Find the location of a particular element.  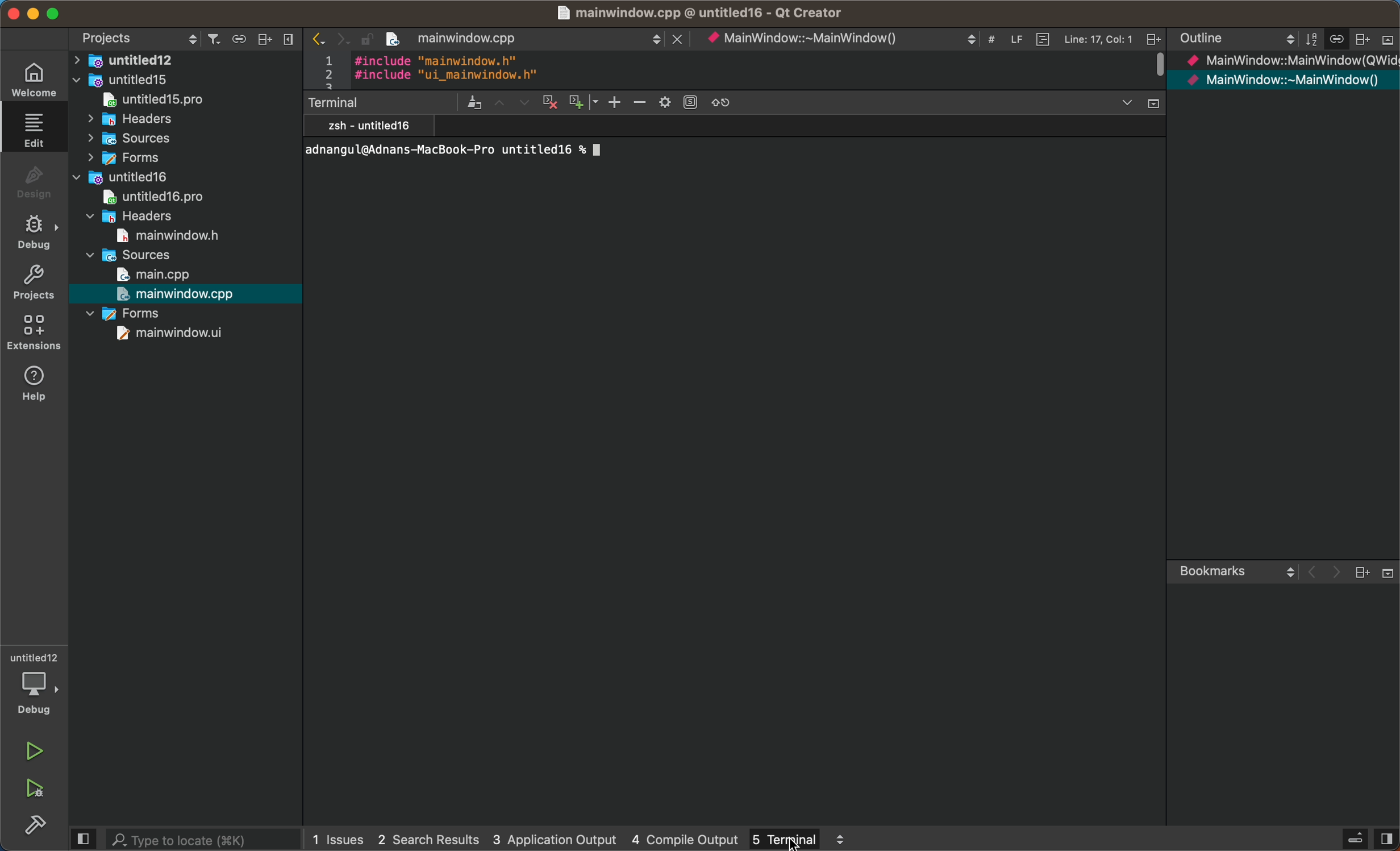

terminal code is located at coordinates (647, 152).